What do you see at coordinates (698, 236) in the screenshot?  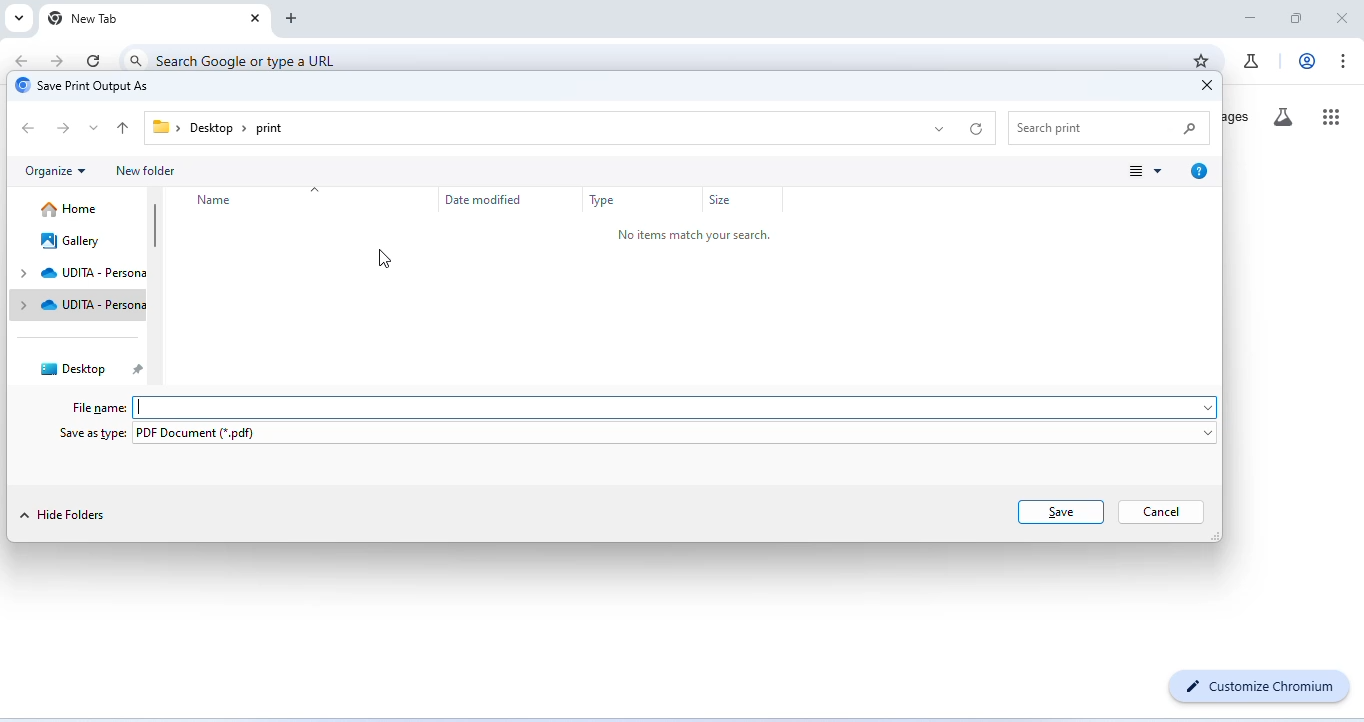 I see `no items match your search` at bounding box center [698, 236].